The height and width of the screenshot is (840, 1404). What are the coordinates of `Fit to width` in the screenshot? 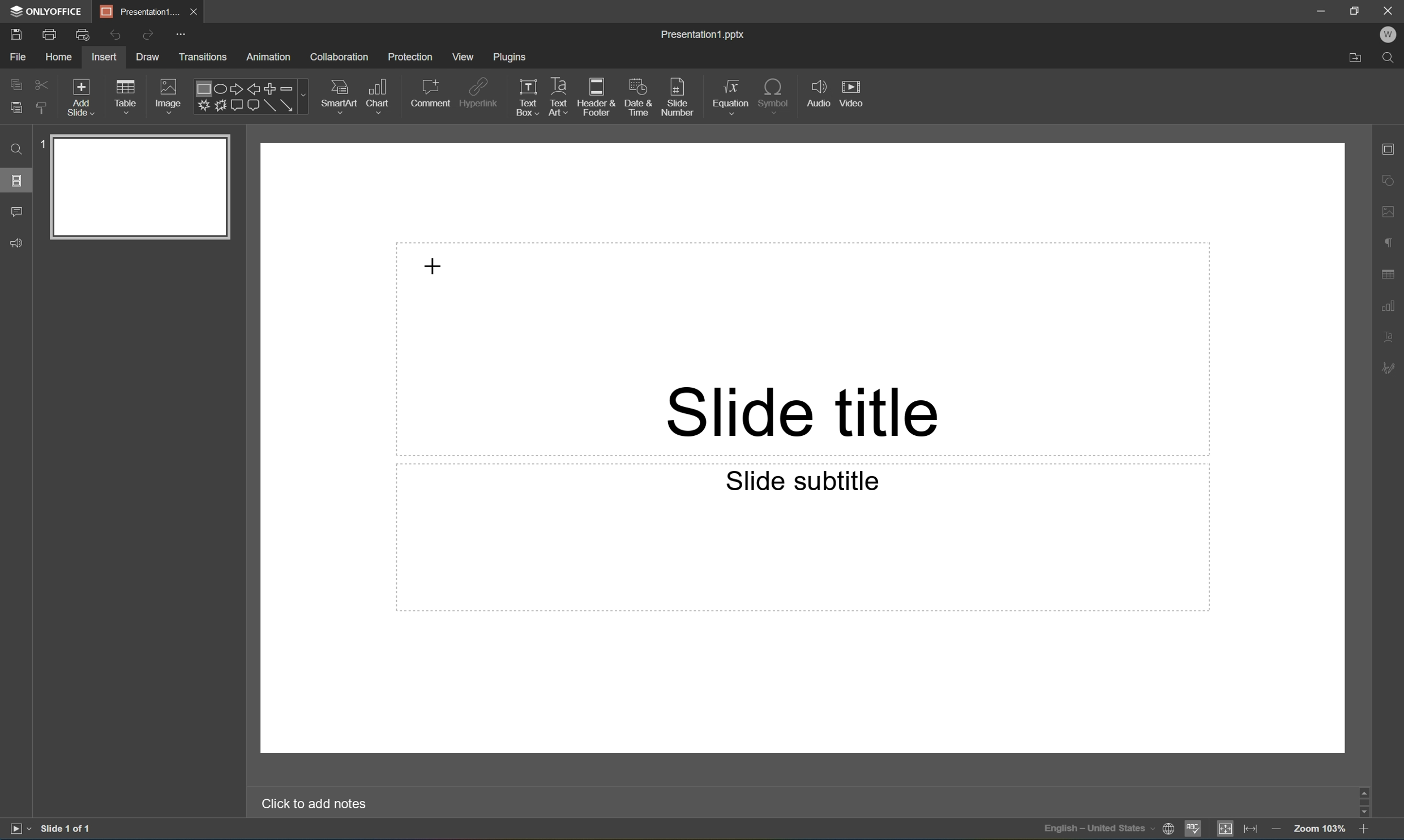 It's located at (1252, 828).